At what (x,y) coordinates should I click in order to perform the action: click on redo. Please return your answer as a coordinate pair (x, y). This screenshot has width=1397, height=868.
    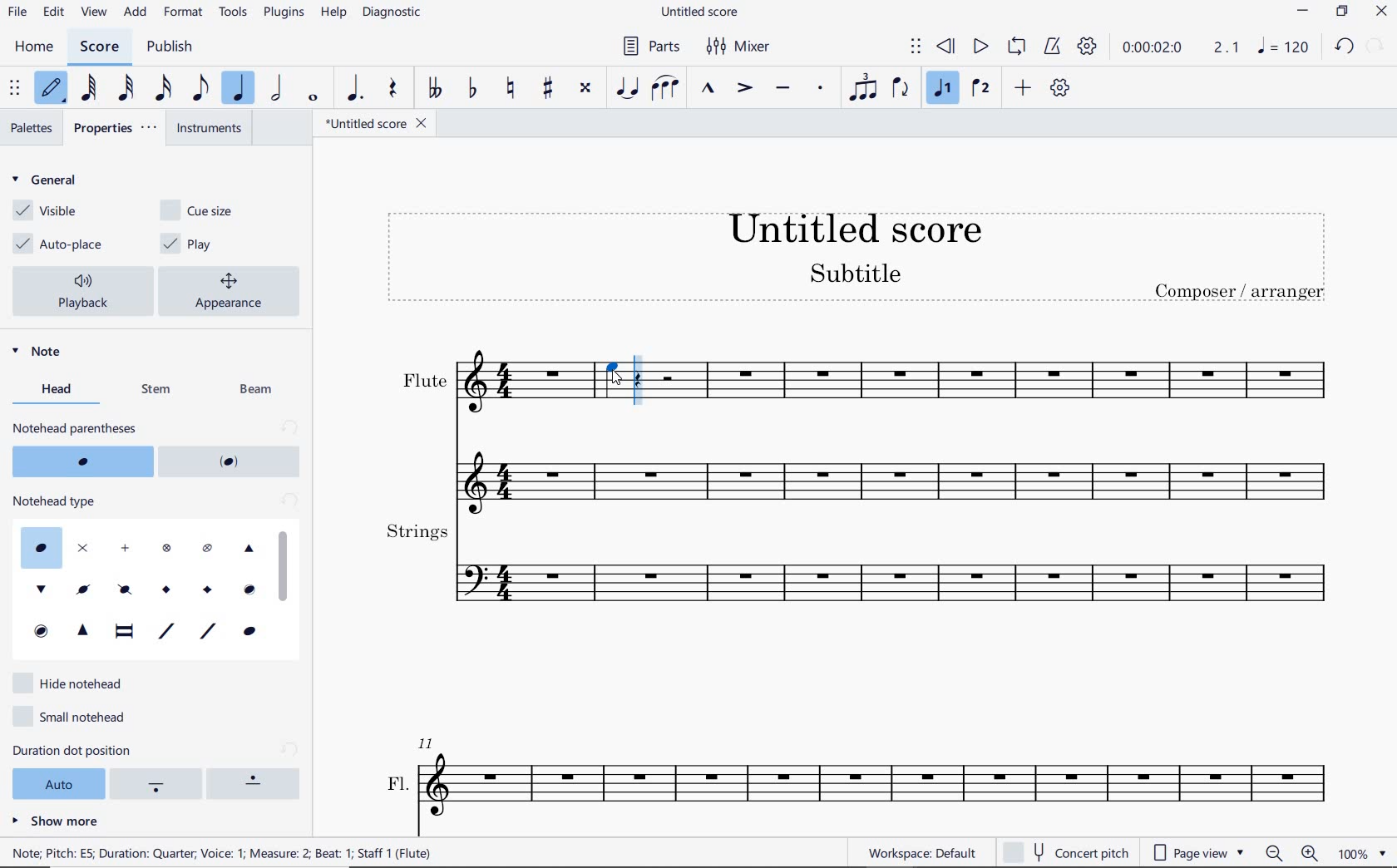
    Looking at the image, I should click on (1378, 45).